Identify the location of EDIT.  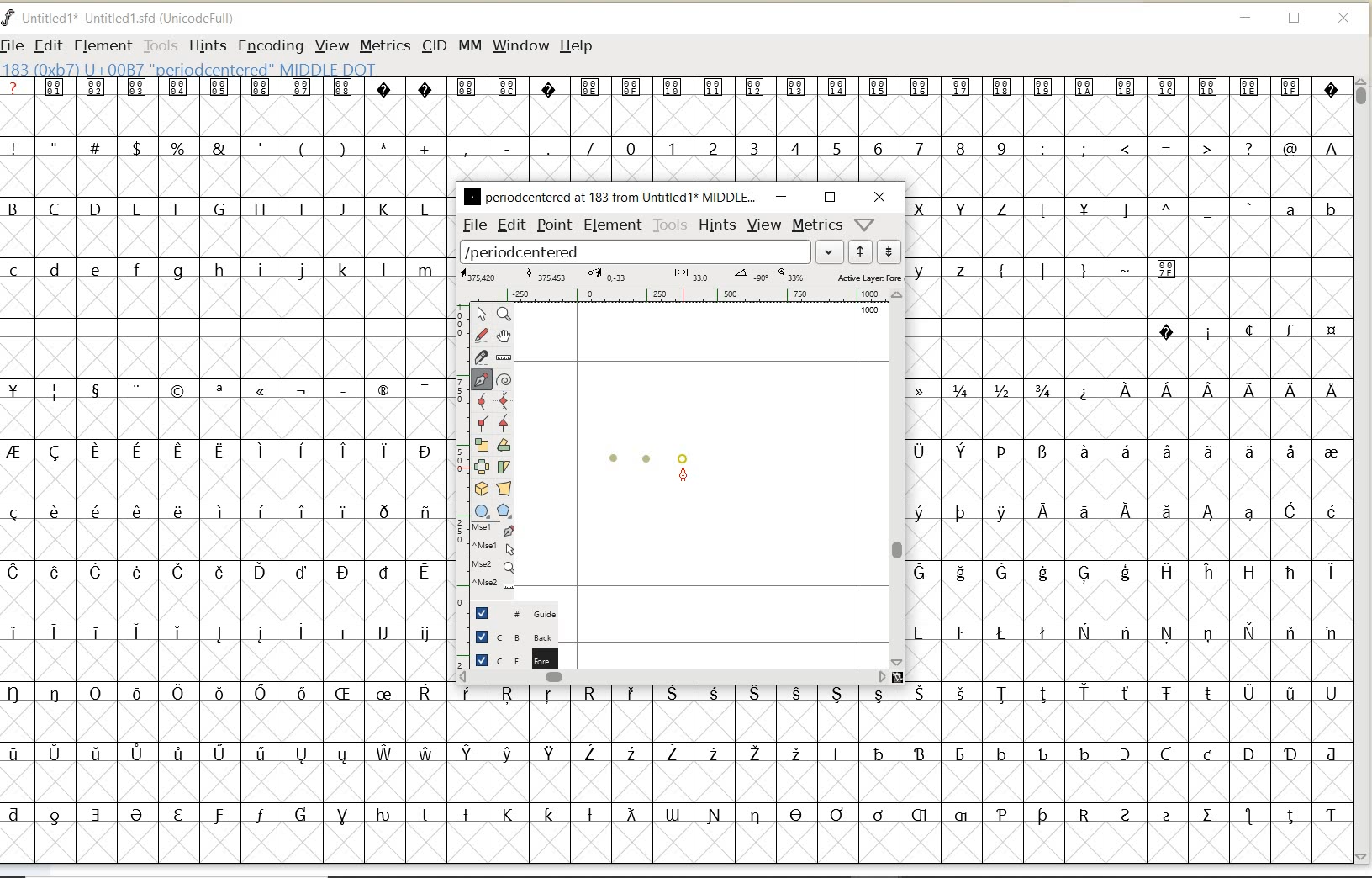
(48, 47).